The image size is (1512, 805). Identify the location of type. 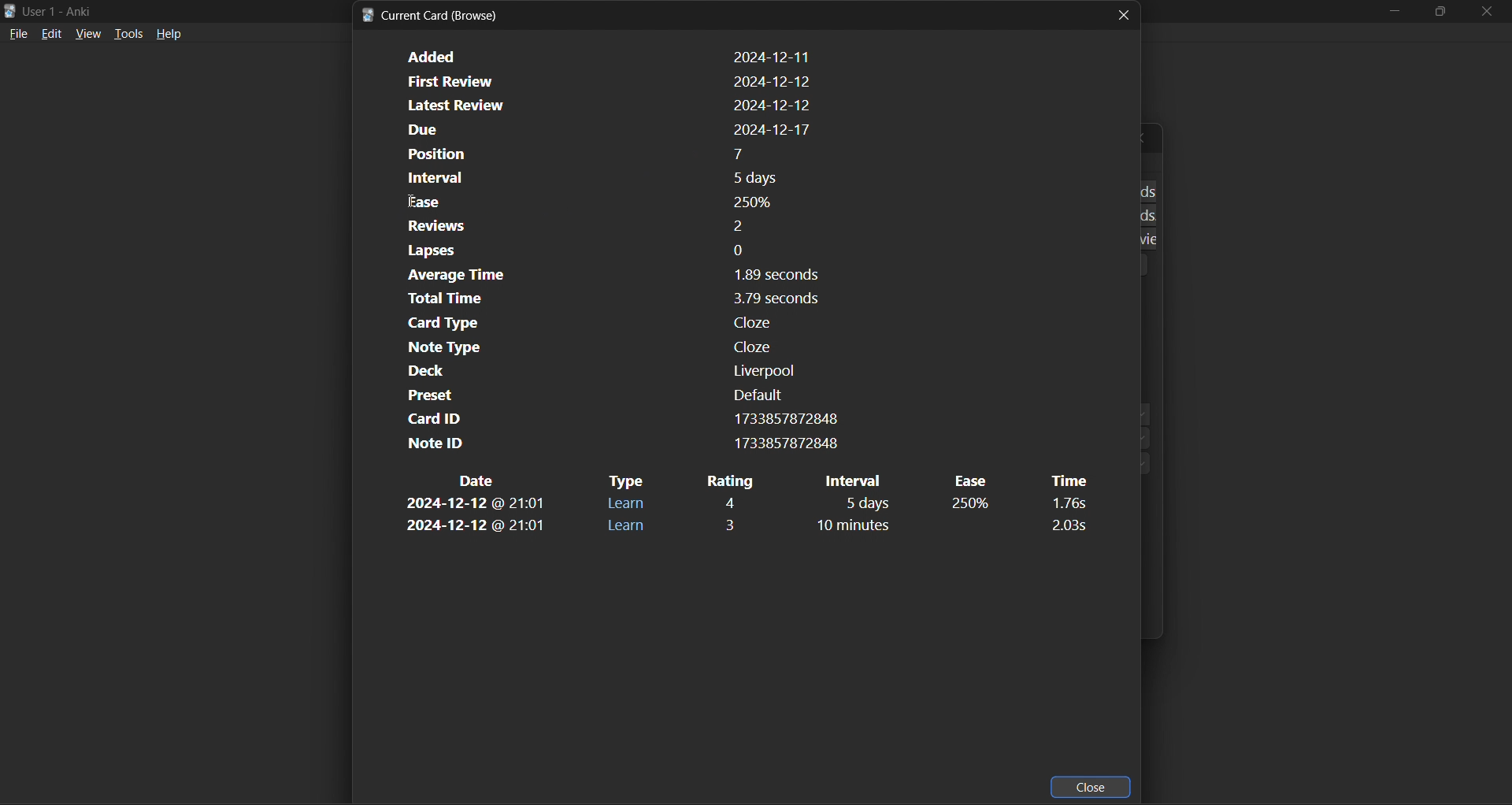
(625, 504).